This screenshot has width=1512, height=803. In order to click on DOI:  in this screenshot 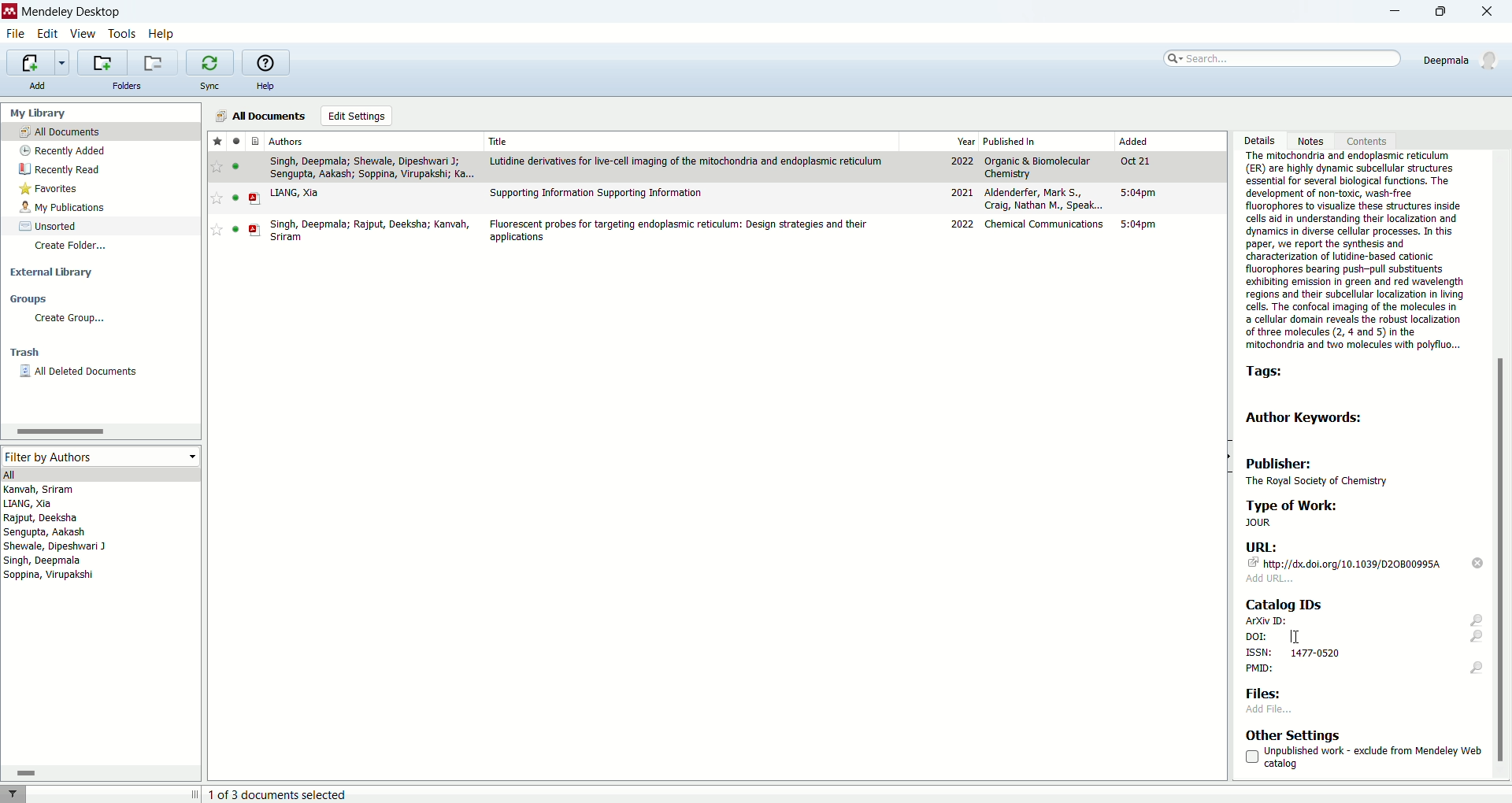, I will do `click(1362, 637)`.